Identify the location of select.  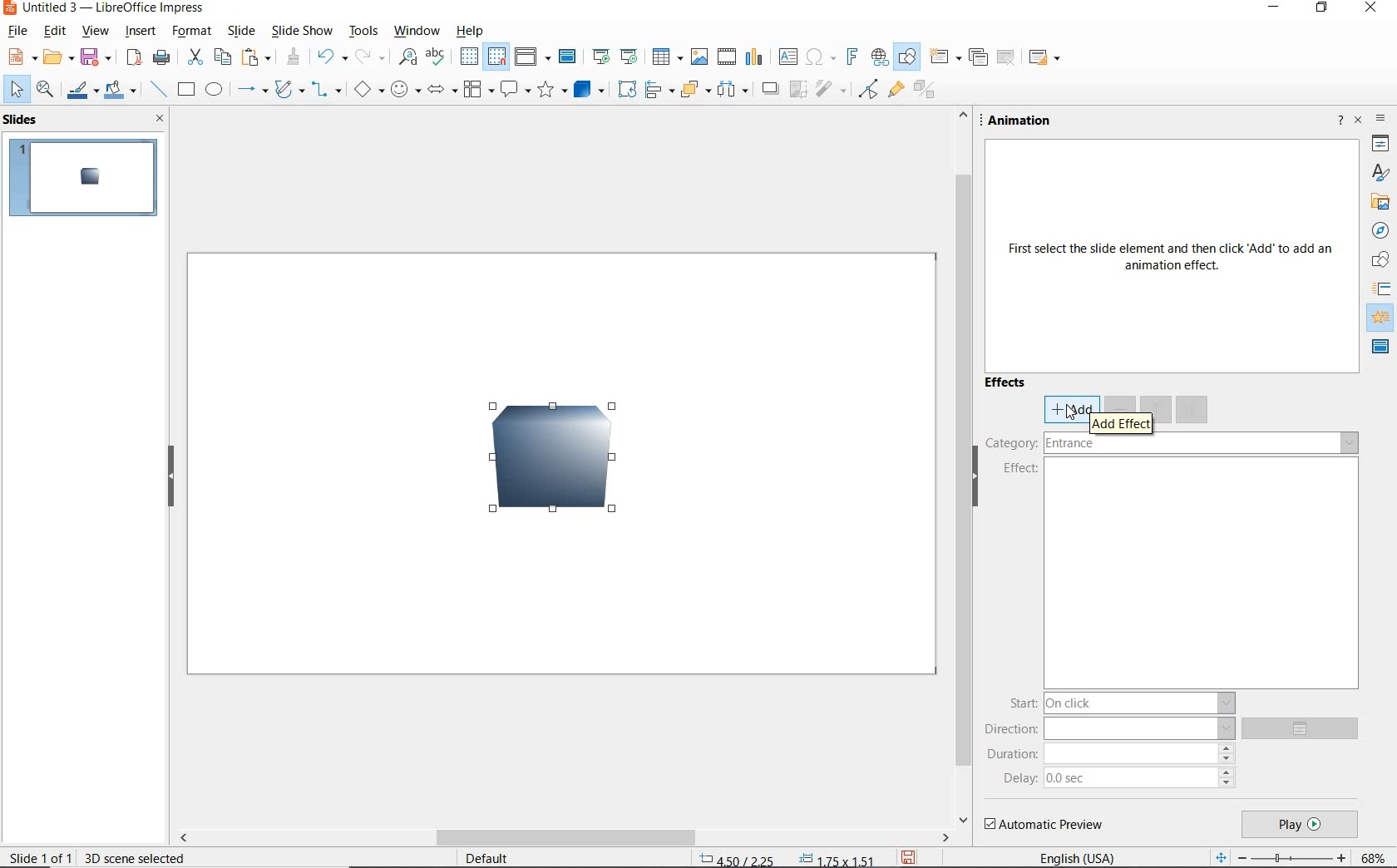
(14, 89).